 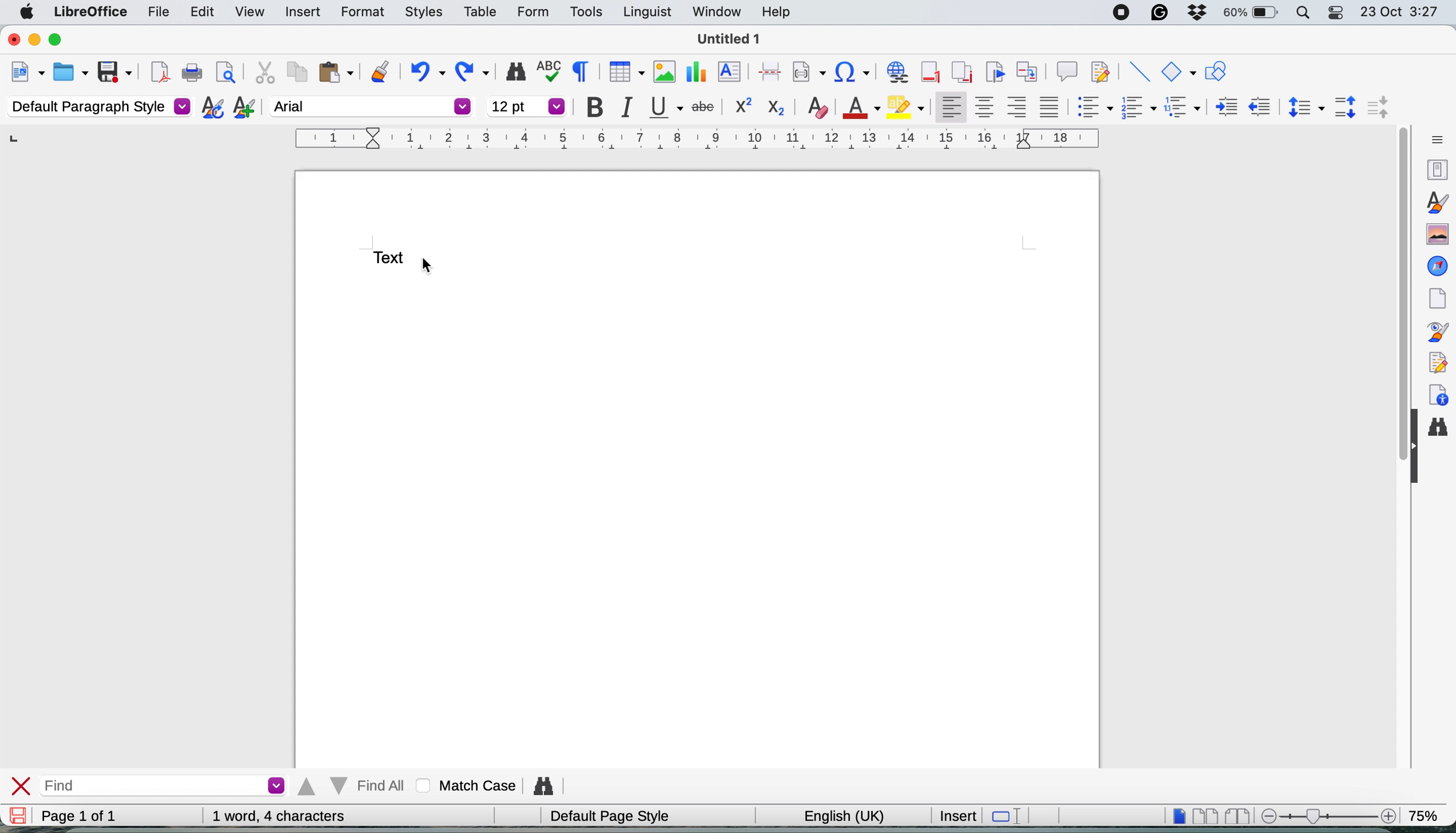 I want to click on manage changes, so click(x=1438, y=361).